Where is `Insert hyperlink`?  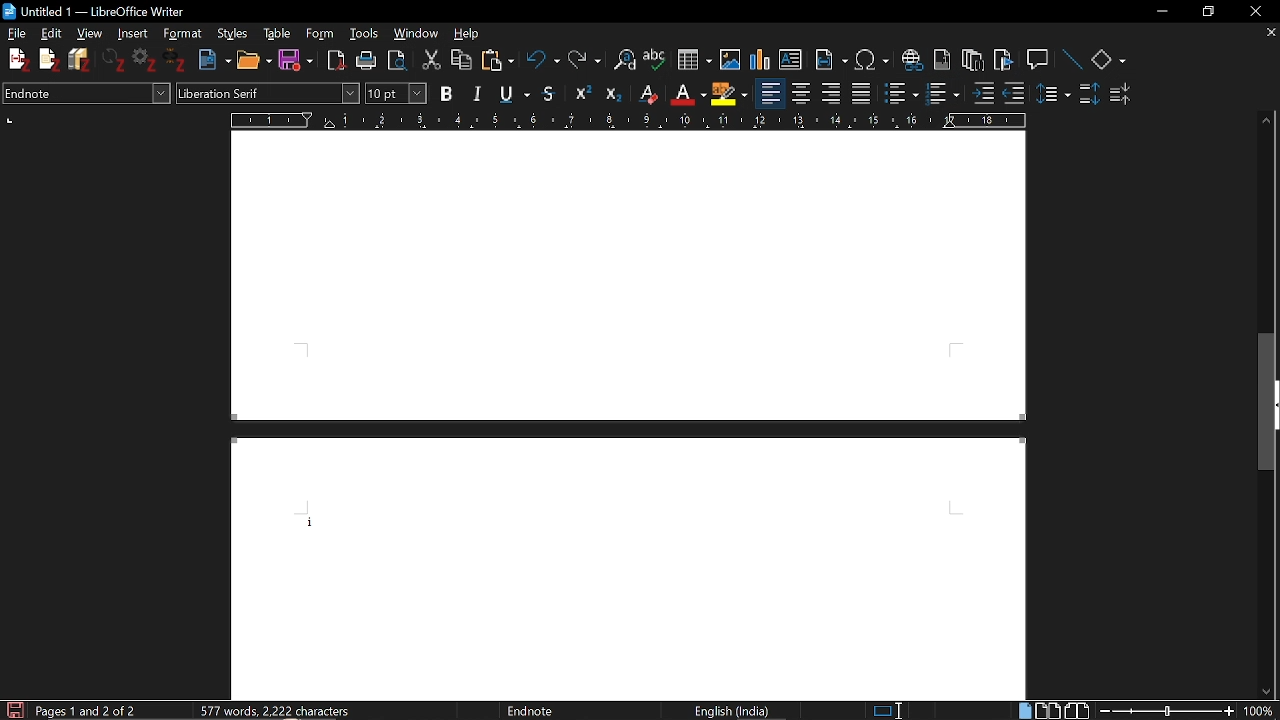 Insert hyperlink is located at coordinates (913, 60).